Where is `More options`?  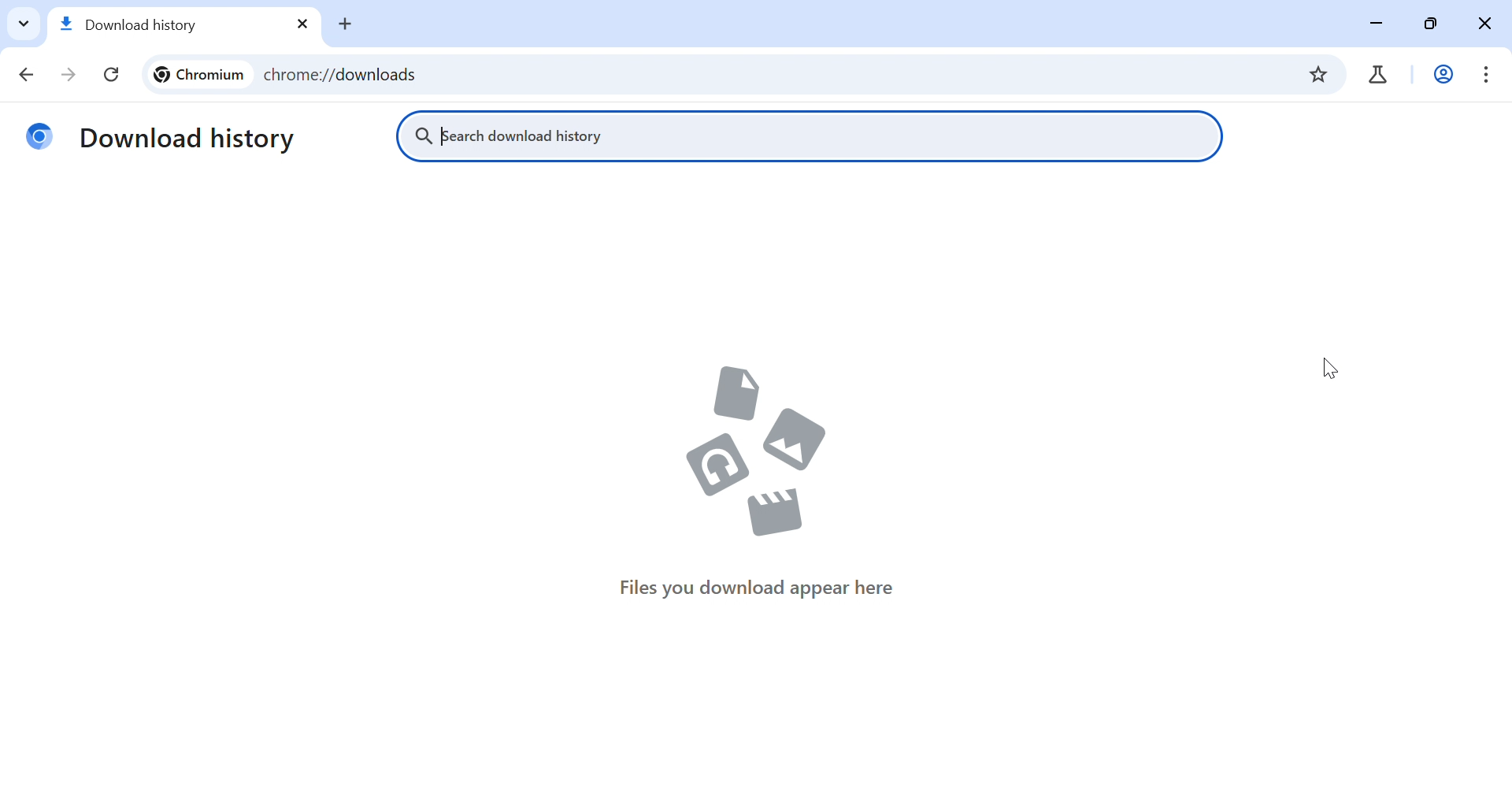 More options is located at coordinates (1487, 75).